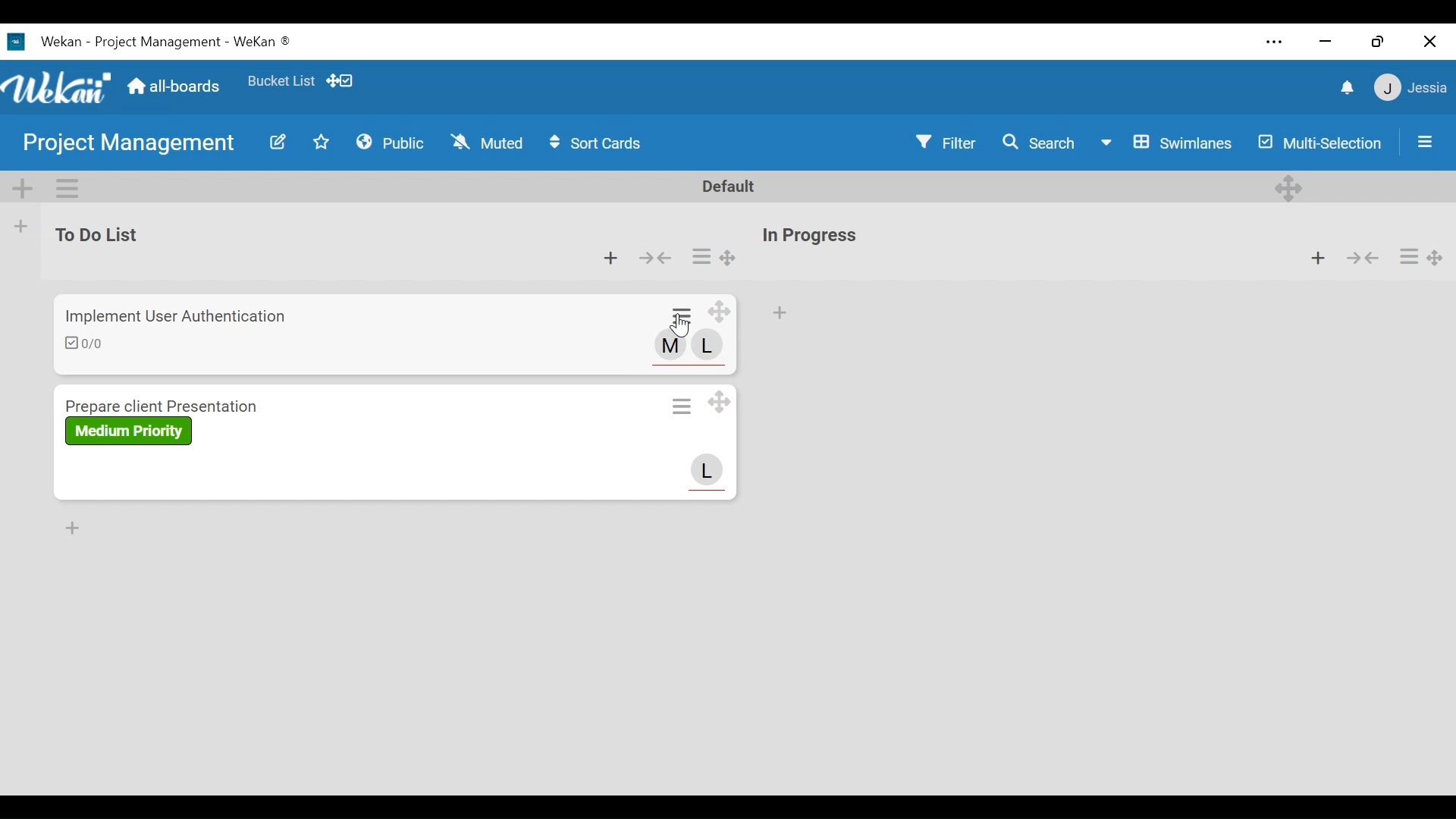  I want to click on Board View, so click(1166, 143).